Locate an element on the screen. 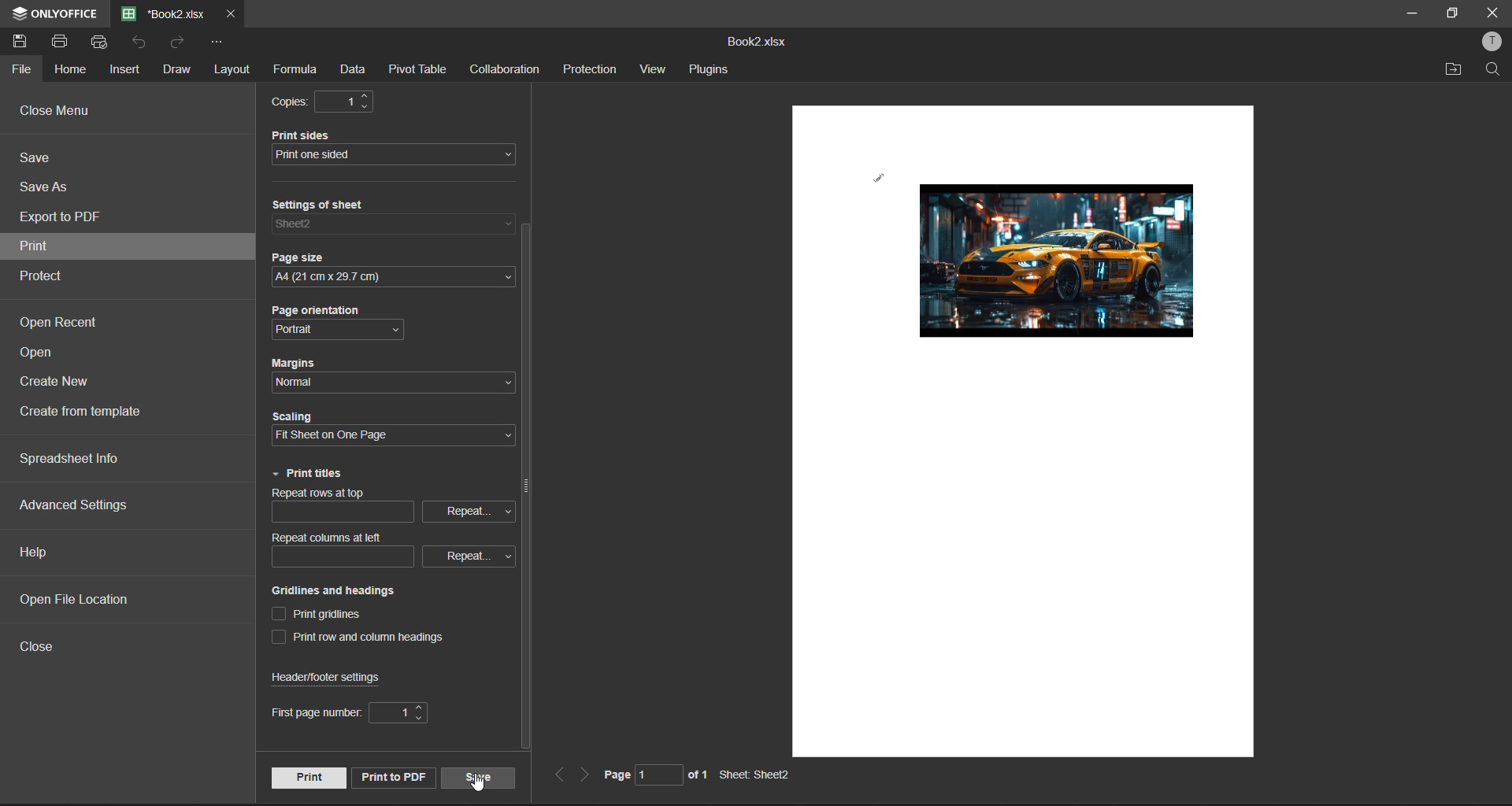 Image resolution: width=1512 pixels, height=806 pixels. profile is located at coordinates (1493, 43).